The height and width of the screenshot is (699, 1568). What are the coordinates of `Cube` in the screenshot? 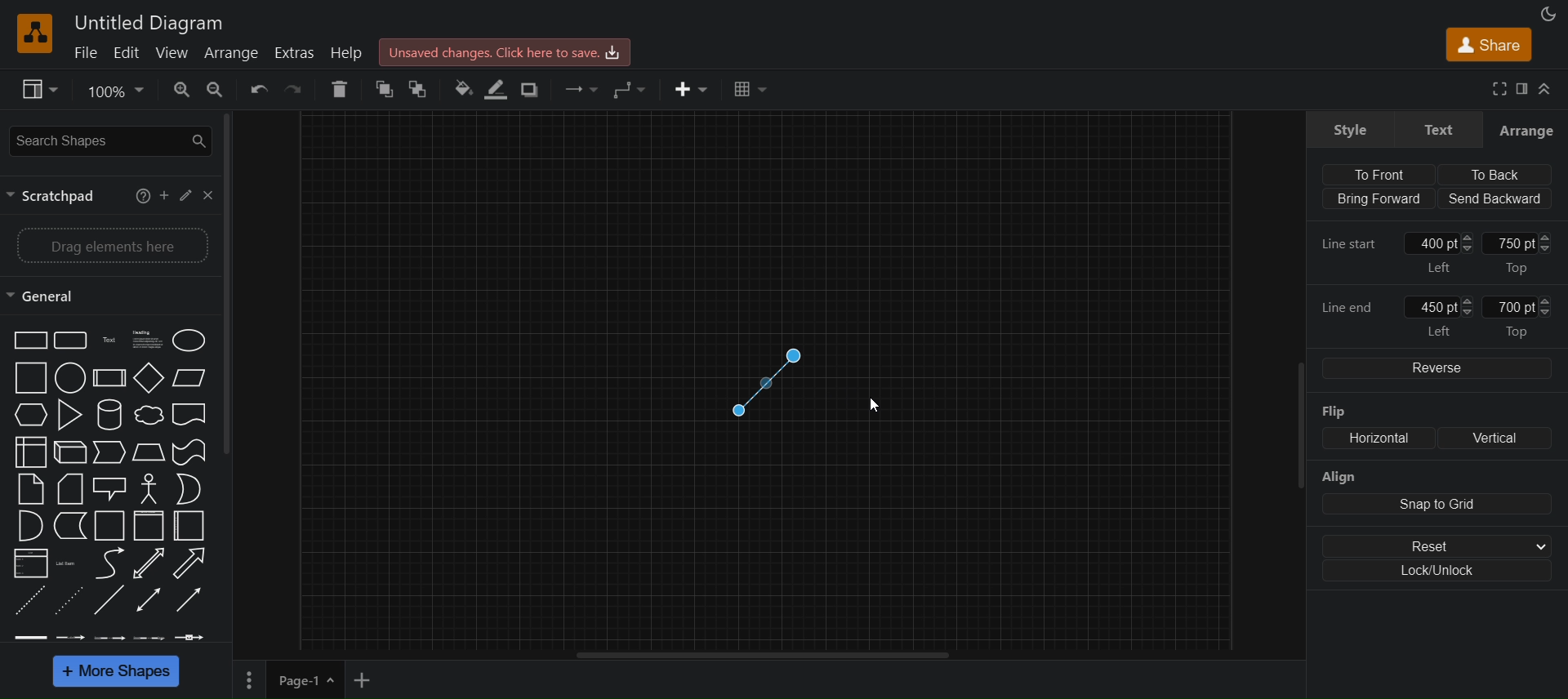 It's located at (69, 452).